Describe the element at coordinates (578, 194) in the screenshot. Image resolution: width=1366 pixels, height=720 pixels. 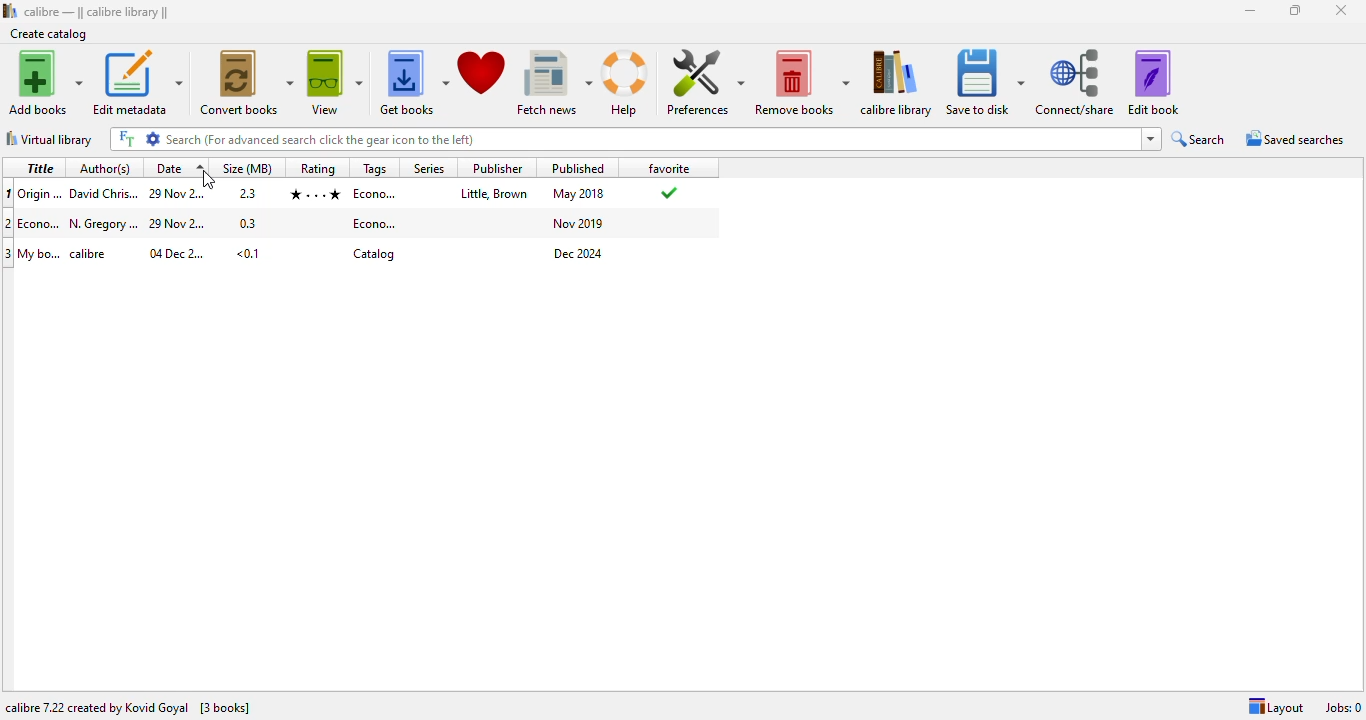
I see `publish date` at that location.